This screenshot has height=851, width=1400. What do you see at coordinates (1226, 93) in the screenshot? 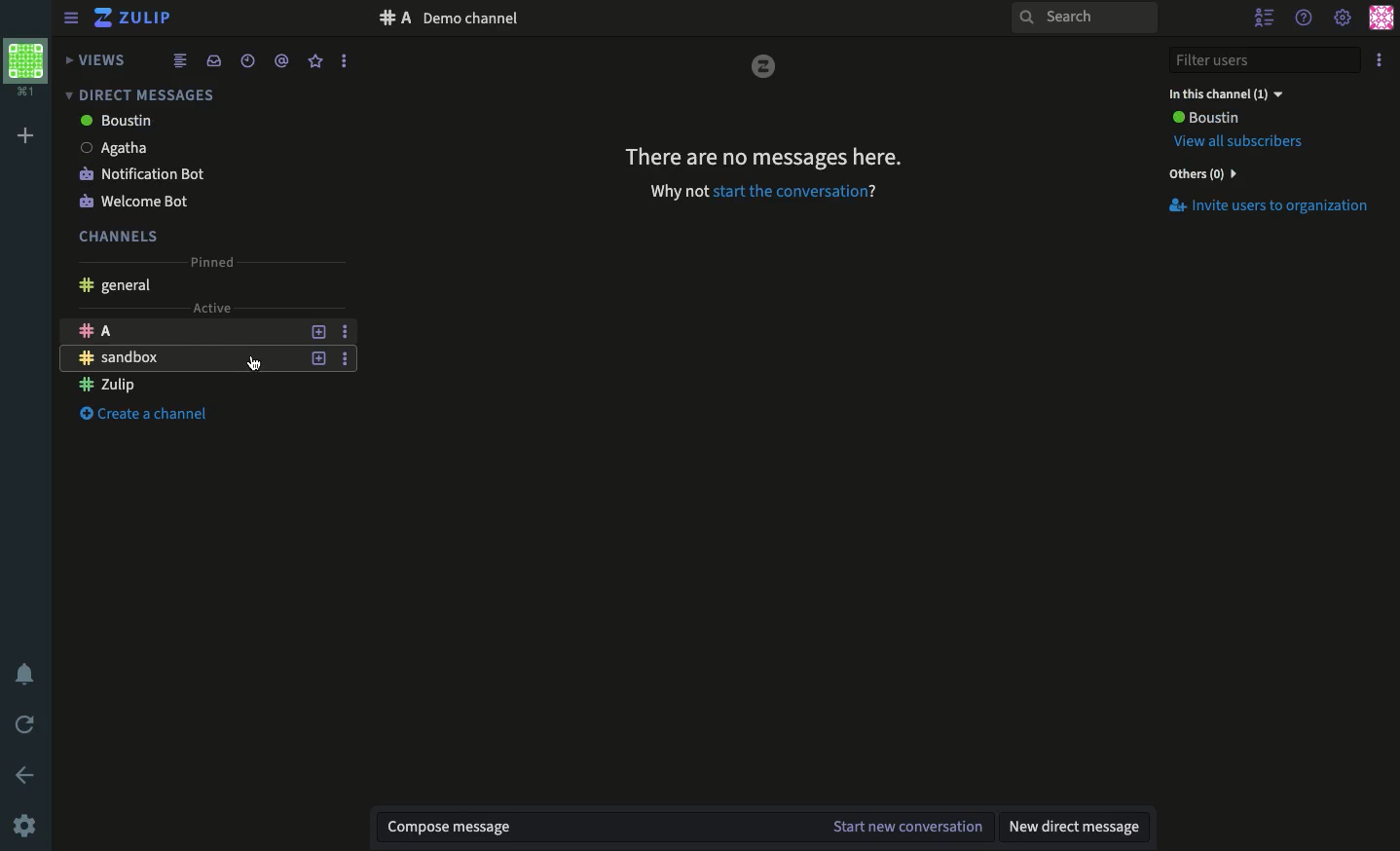
I see `In this channel` at bounding box center [1226, 93].